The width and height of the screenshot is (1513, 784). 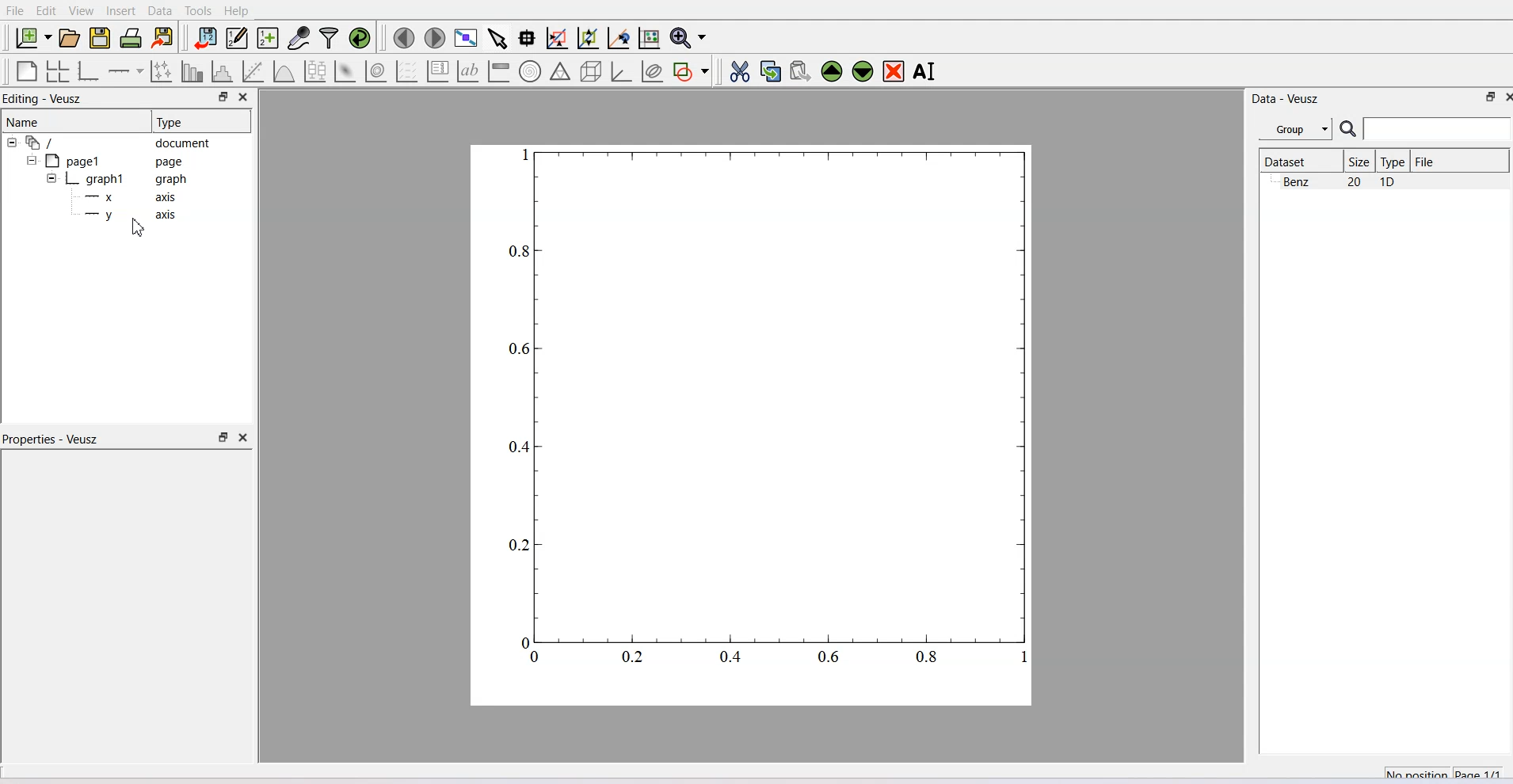 I want to click on Add shape to the plot, so click(x=690, y=71).